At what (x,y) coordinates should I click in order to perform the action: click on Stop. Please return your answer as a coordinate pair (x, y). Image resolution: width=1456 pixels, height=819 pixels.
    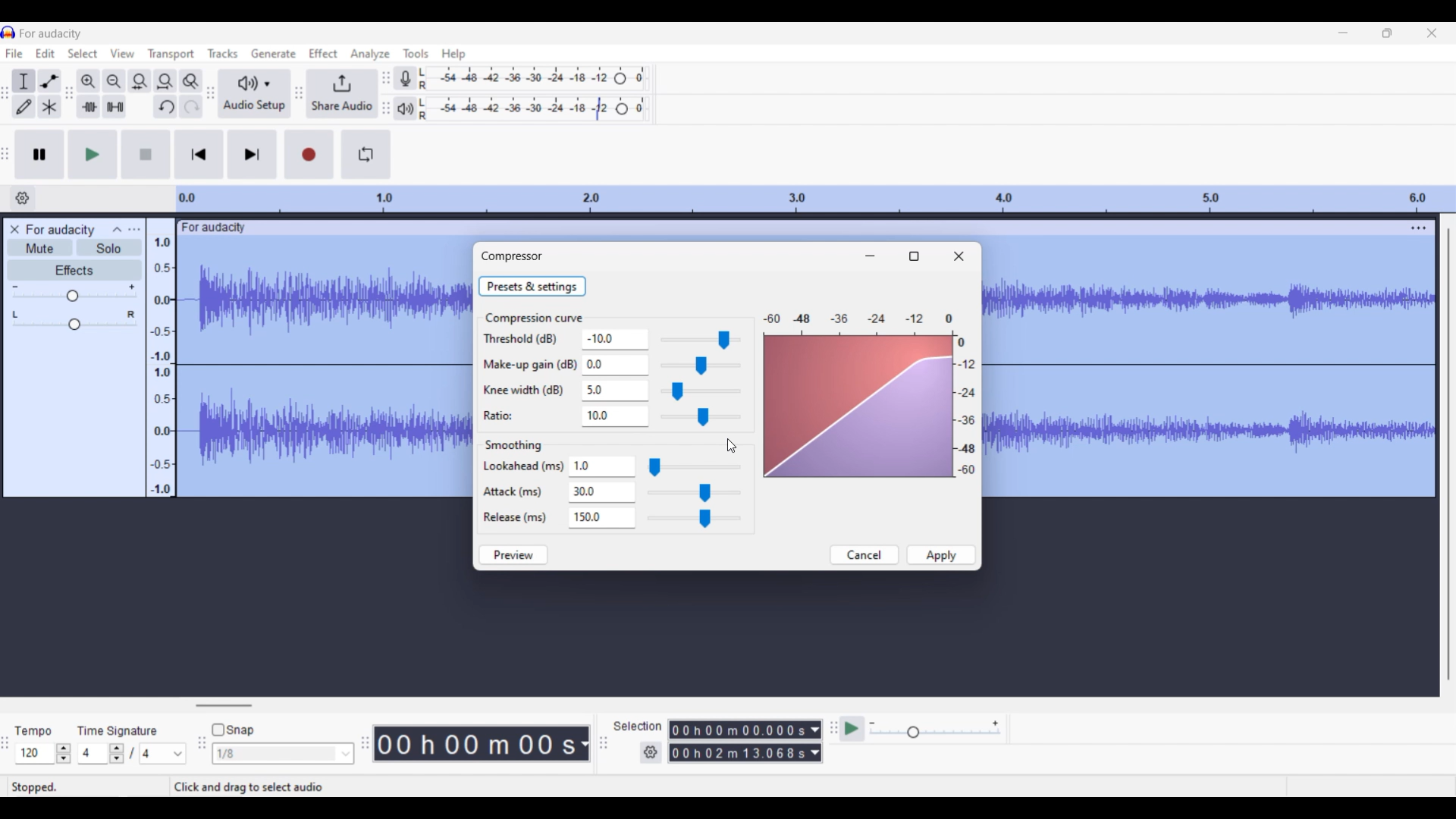
    Looking at the image, I should click on (146, 154).